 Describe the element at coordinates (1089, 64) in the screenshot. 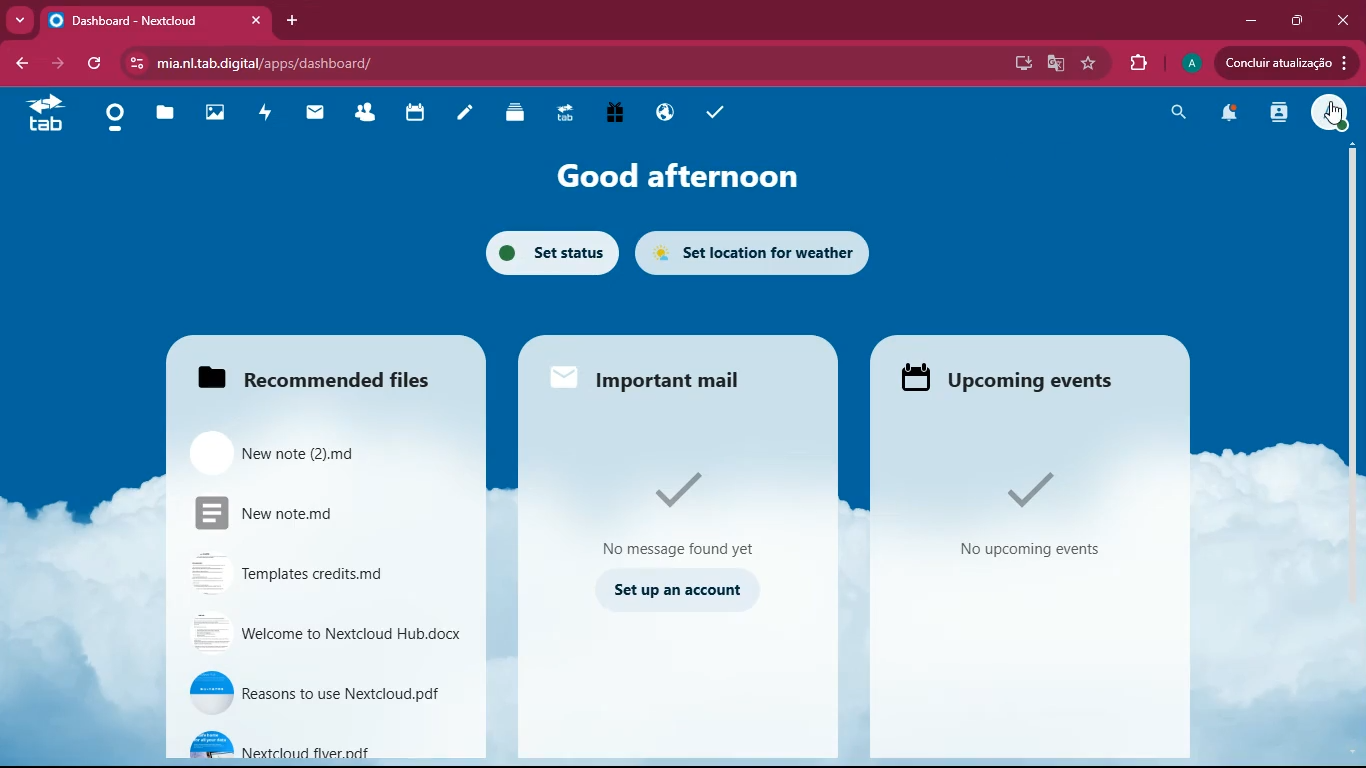

I see `favourites` at that location.